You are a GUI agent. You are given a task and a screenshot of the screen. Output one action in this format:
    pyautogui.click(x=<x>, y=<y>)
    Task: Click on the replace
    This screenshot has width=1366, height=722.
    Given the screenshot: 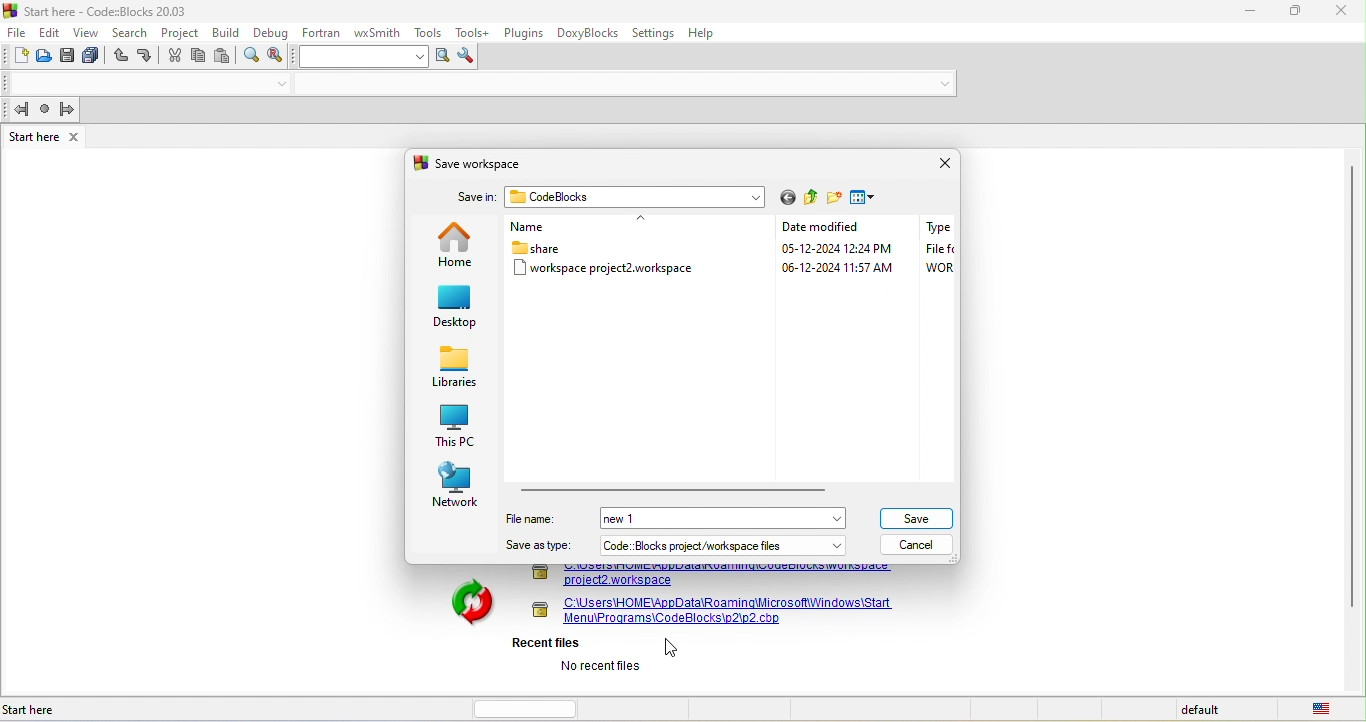 What is the action you would take?
    pyautogui.click(x=280, y=56)
    